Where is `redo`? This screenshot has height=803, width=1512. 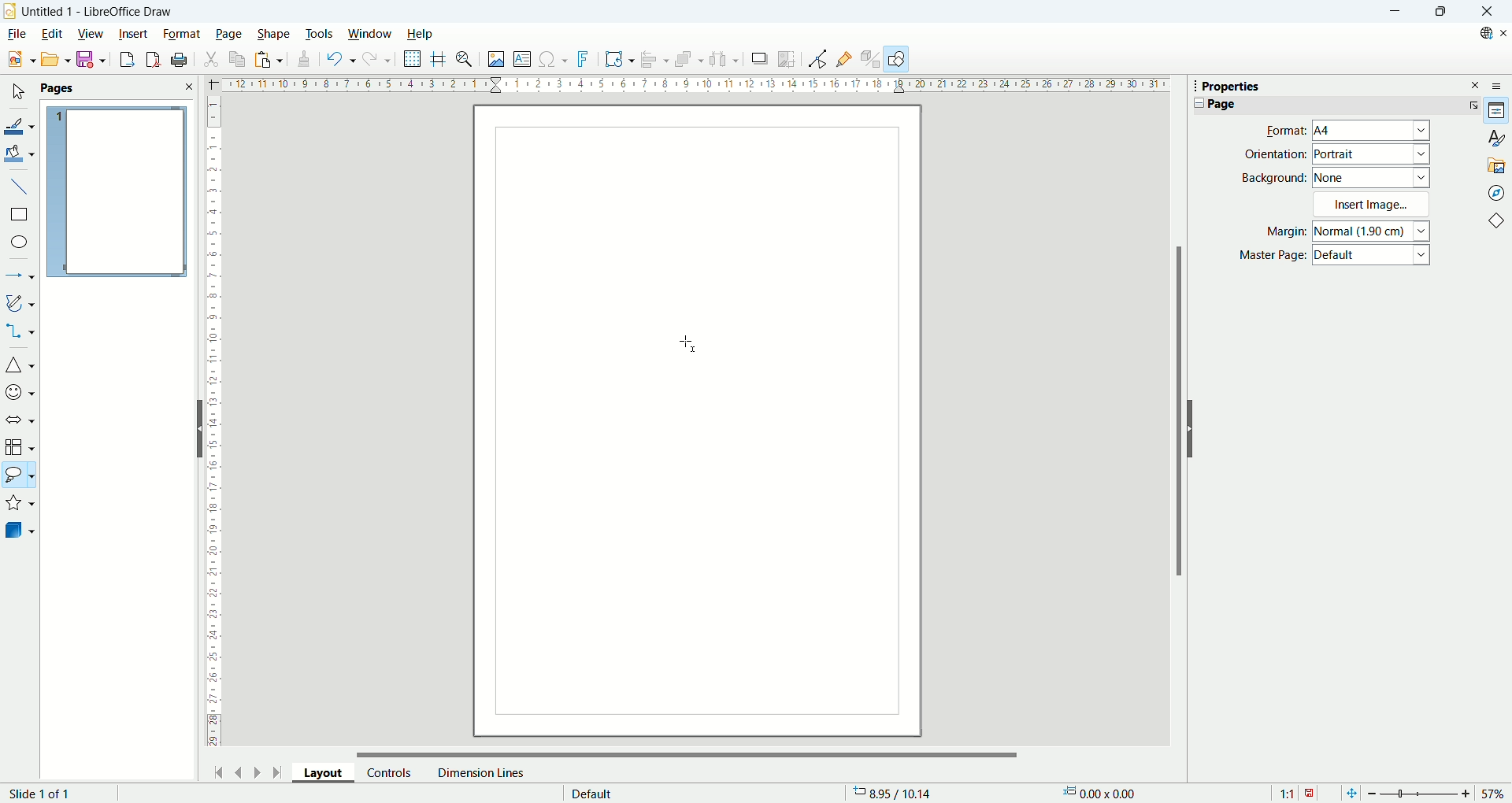 redo is located at coordinates (378, 62).